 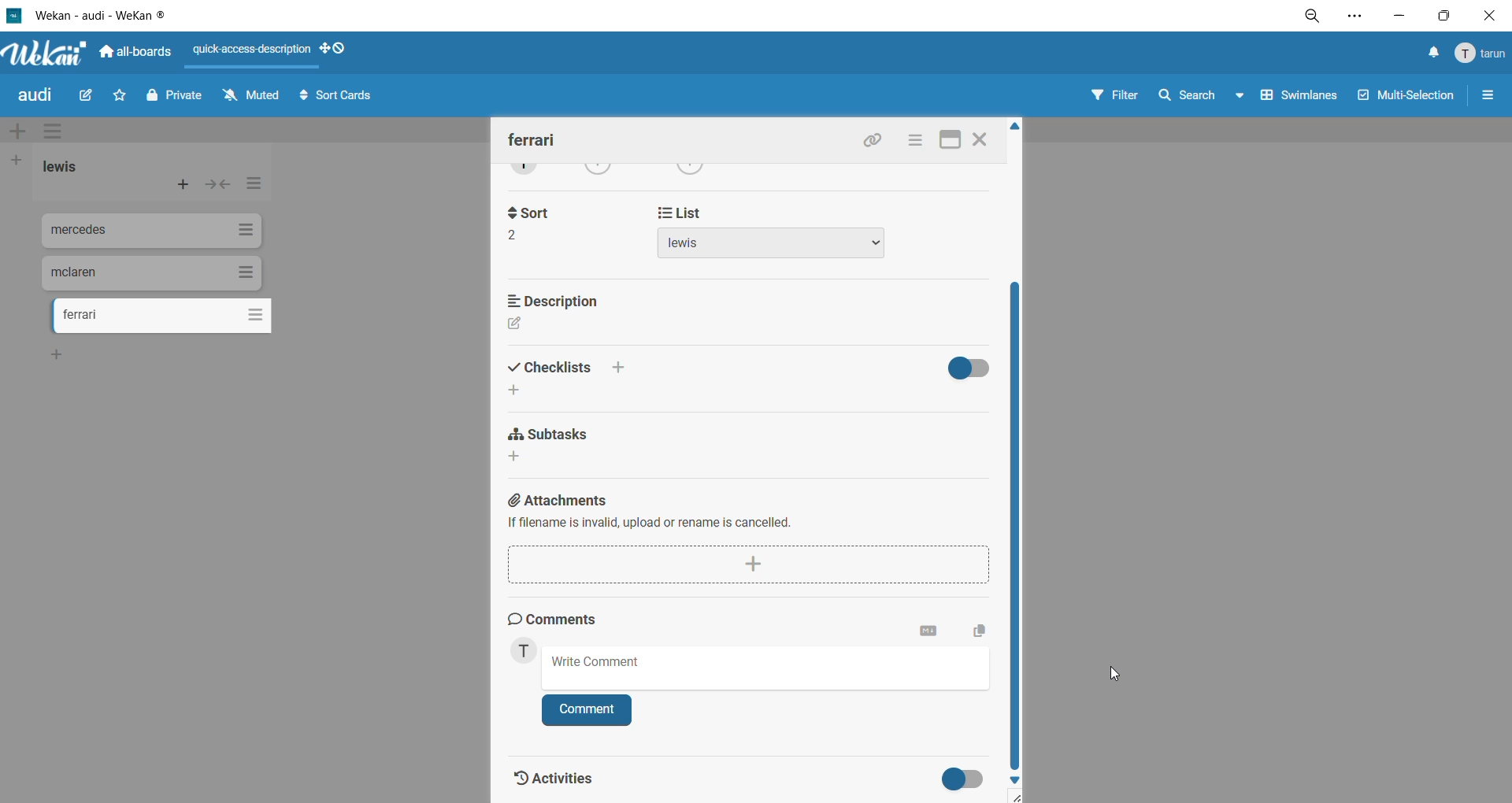 What do you see at coordinates (876, 142) in the screenshot?
I see `copy link` at bounding box center [876, 142].